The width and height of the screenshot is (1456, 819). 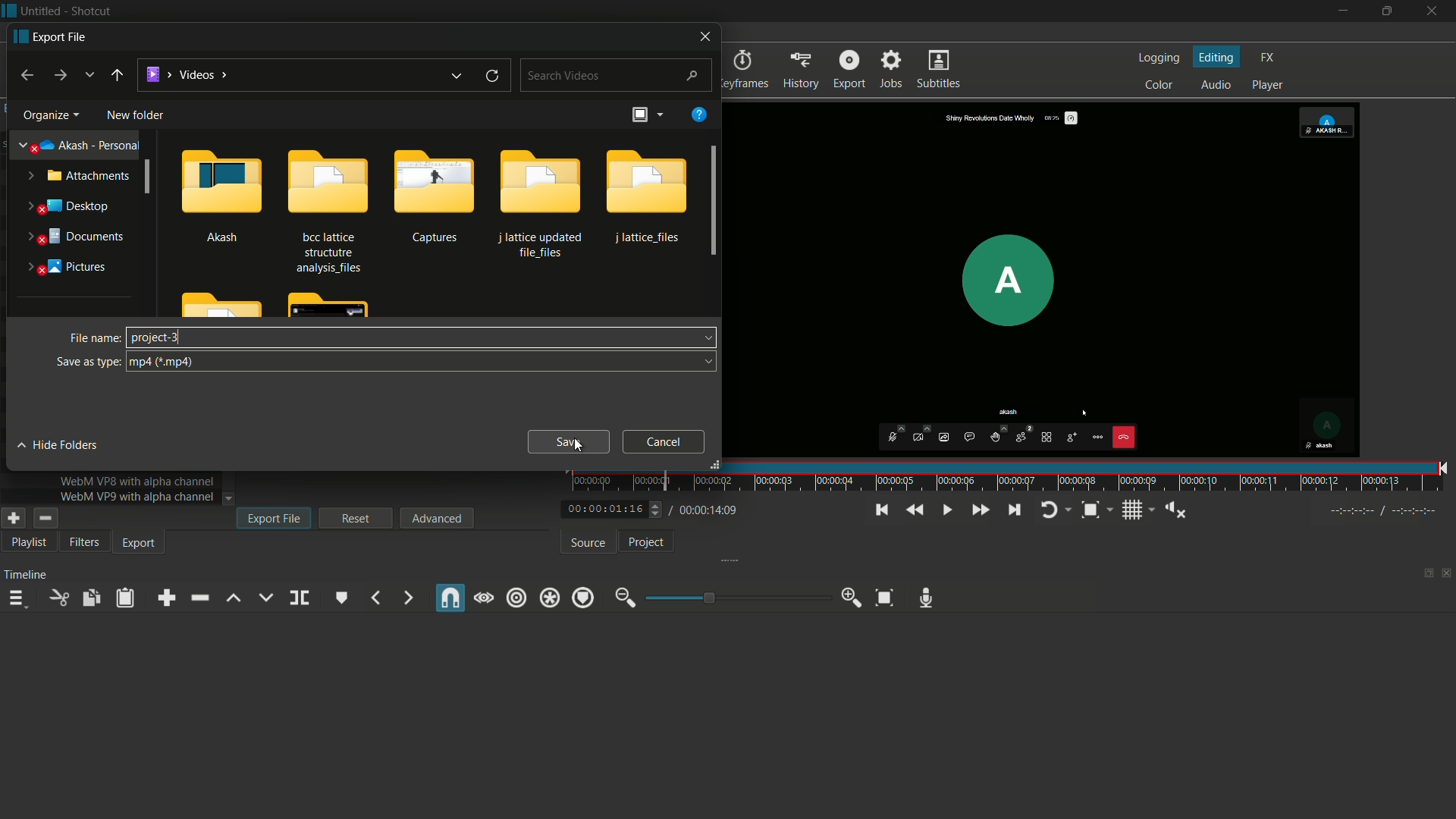 I want to click on record audio, so click(x=925, y=599).